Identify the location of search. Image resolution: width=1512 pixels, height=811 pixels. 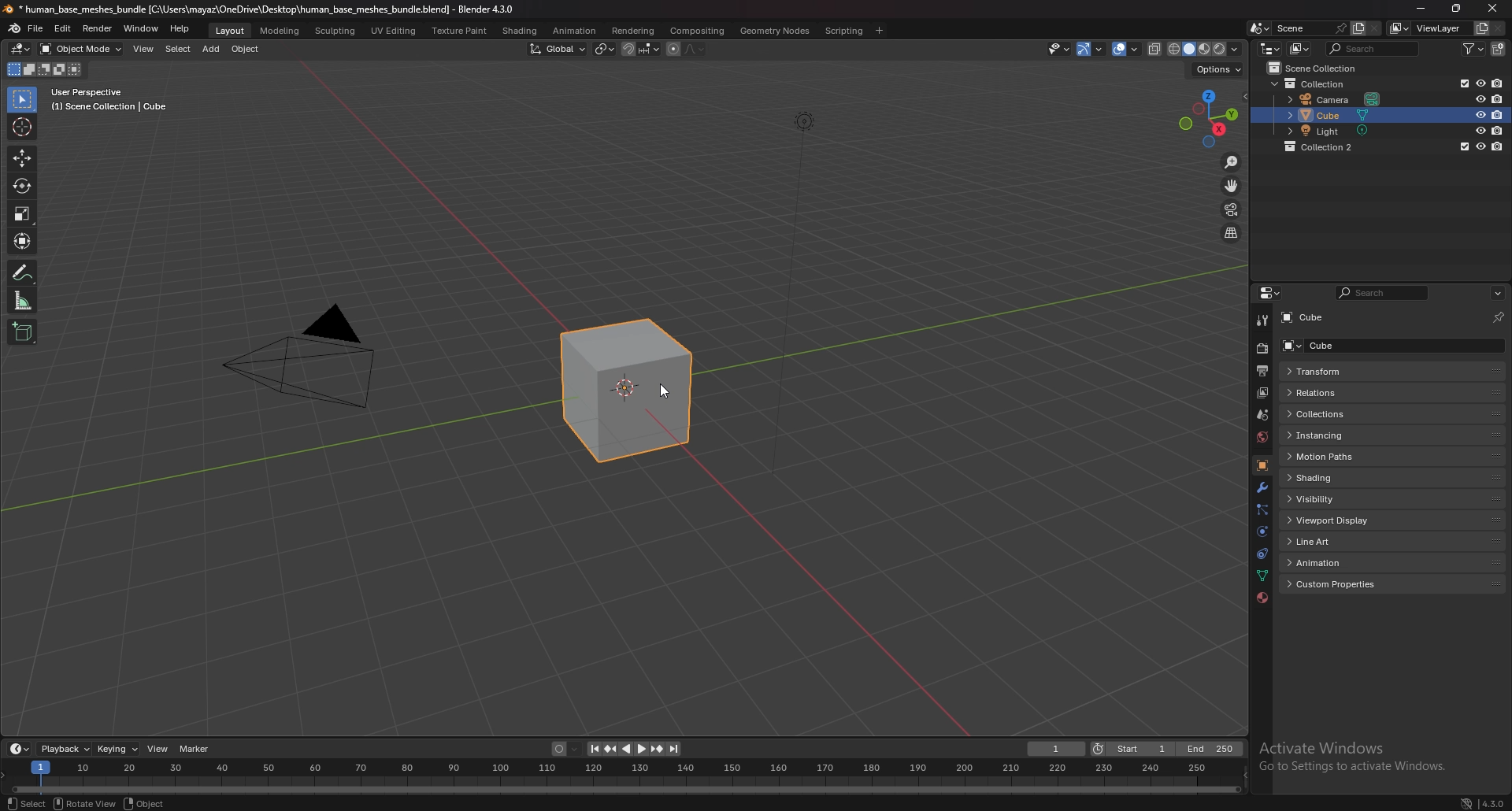
(1380, 294).